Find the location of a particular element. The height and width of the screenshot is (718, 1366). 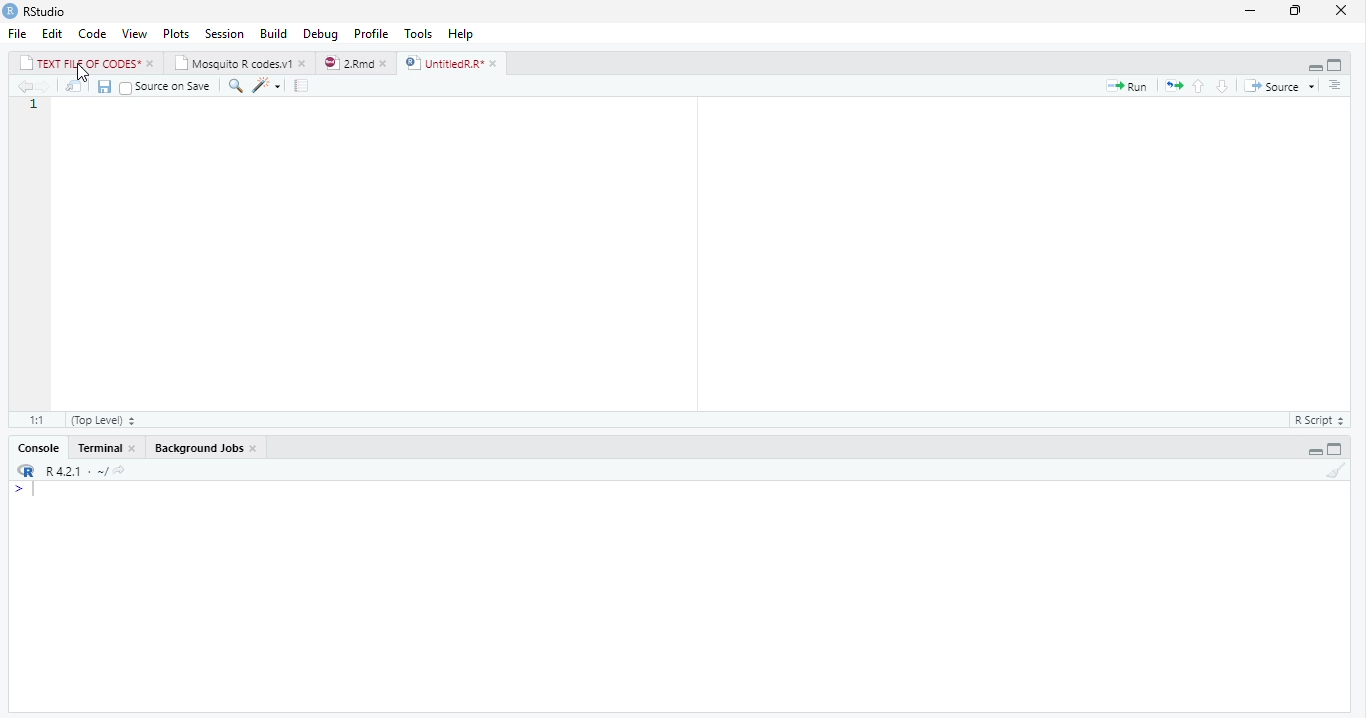

maximize is located at coordinates (1298, 12).